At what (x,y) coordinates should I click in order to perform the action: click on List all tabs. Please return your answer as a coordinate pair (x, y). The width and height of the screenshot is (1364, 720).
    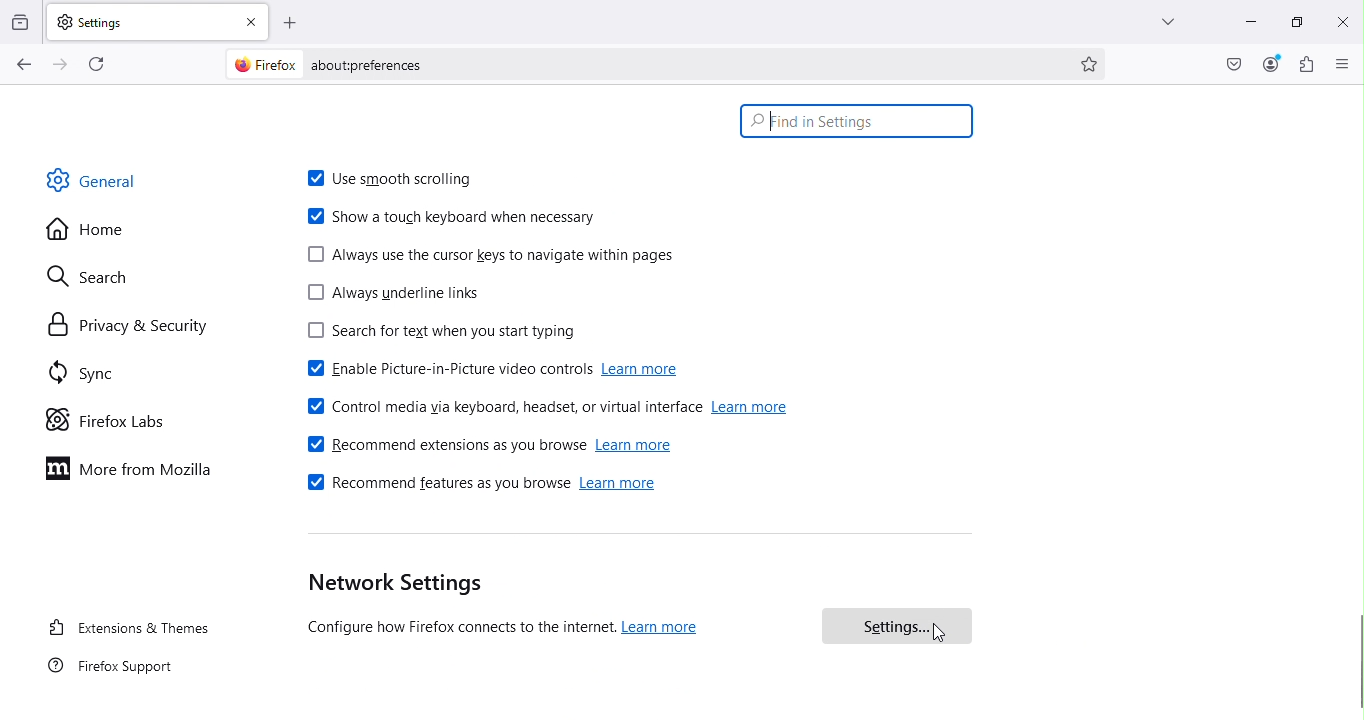
    Looking at the image, I should click on (1162, 21).